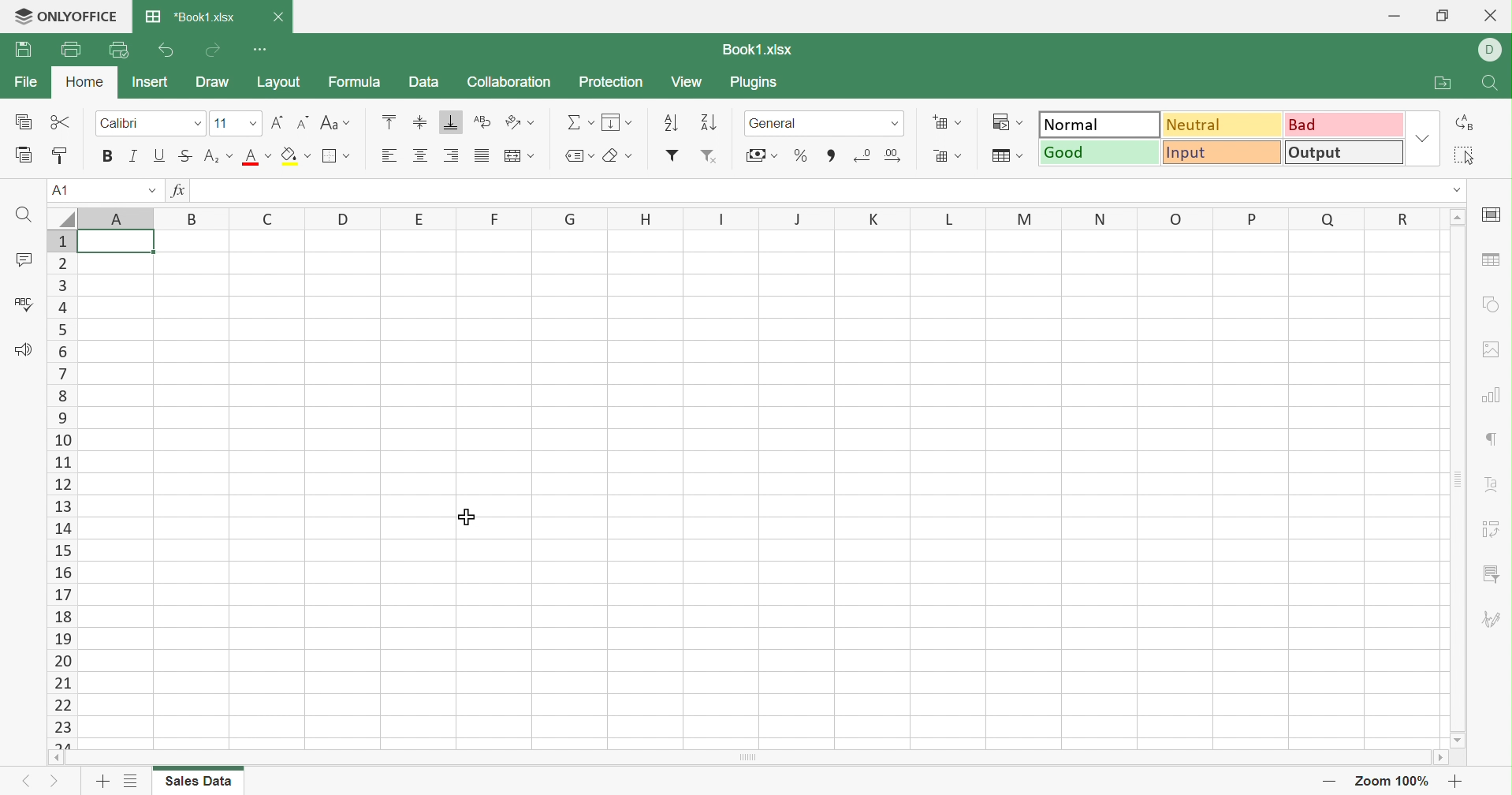 Image resolution: width=1512 pixels, height=795 pixels. Describe the element at coordinates (389, 154) in the screenshot. I see `Align Left` at that location.